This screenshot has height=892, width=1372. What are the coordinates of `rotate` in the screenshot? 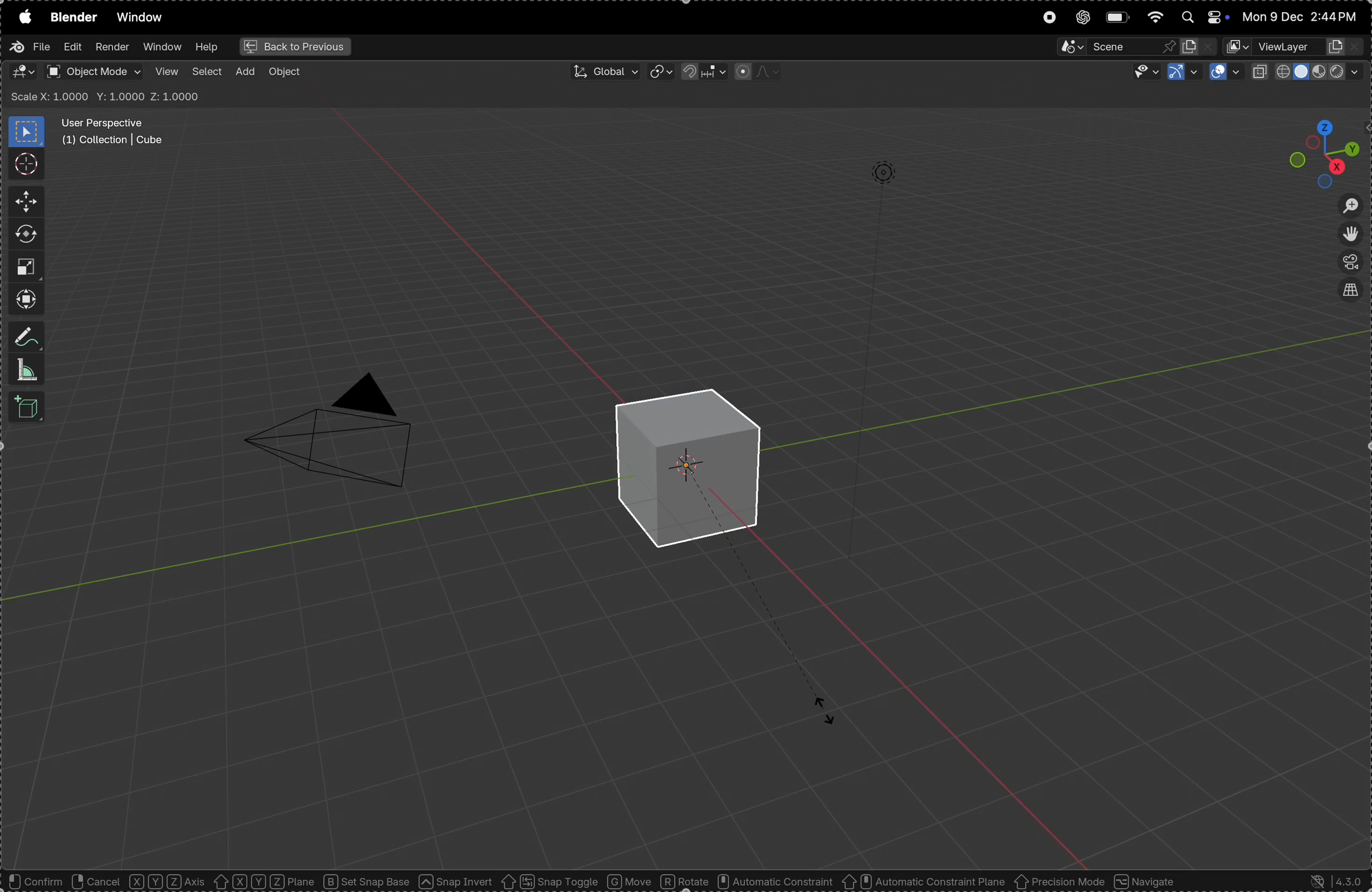 It's located at (24, 233).